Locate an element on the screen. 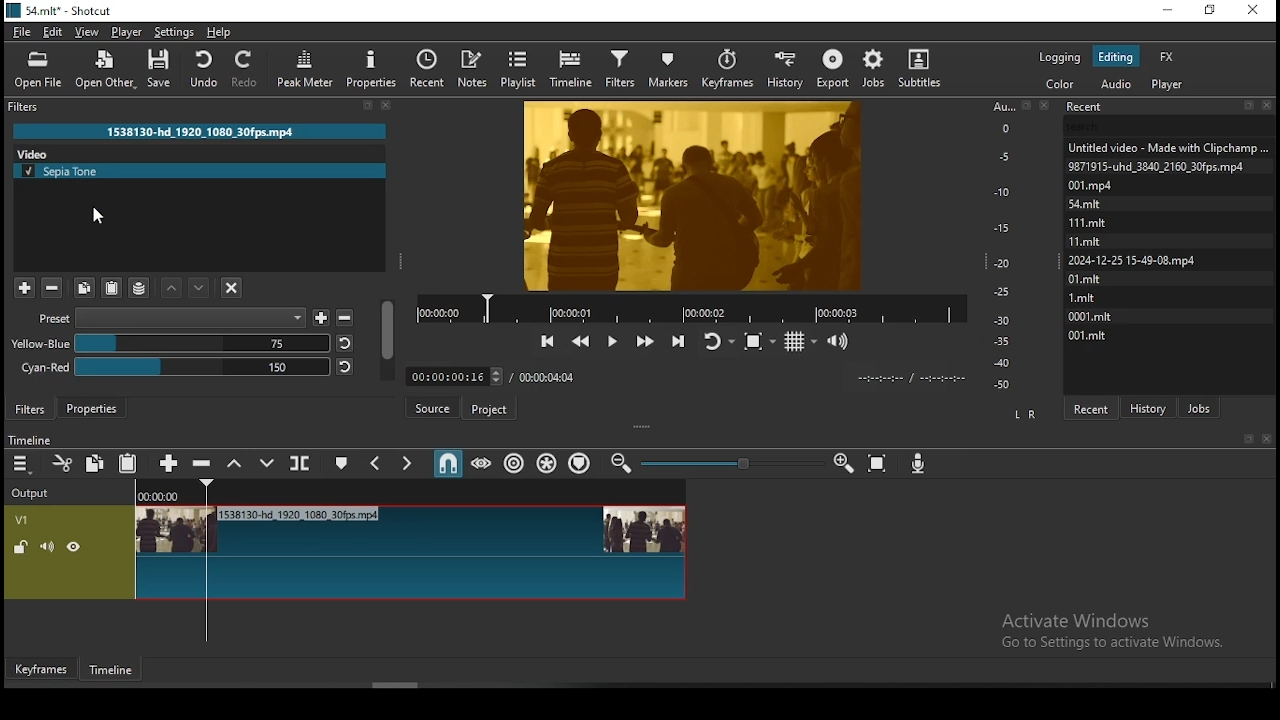  properties is located at coordinates (92, 408).